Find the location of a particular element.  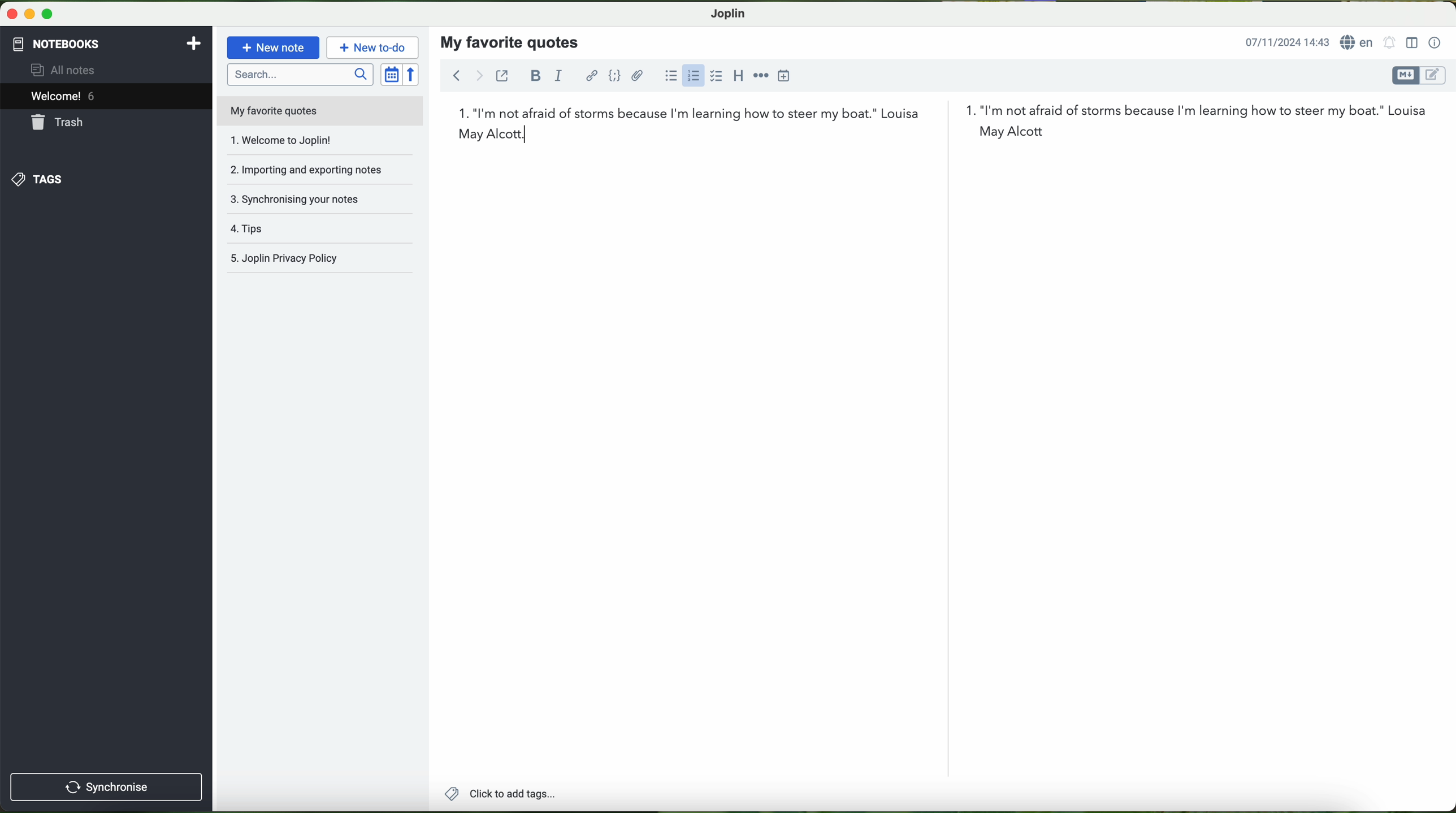

bulleted list is located at coordinates (670, 77).